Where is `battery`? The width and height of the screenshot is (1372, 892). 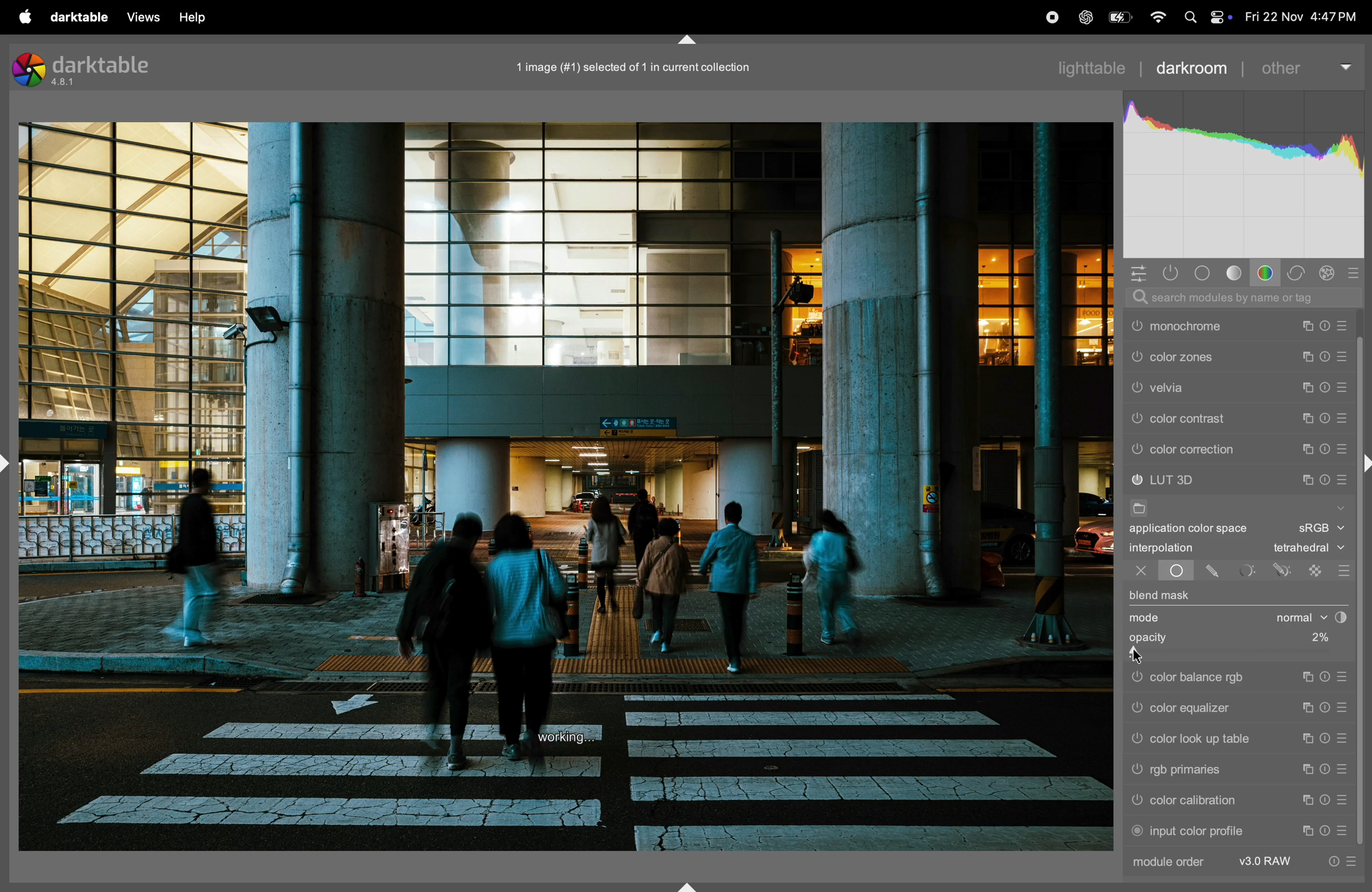
battery is located at coordinates (1117, 19).